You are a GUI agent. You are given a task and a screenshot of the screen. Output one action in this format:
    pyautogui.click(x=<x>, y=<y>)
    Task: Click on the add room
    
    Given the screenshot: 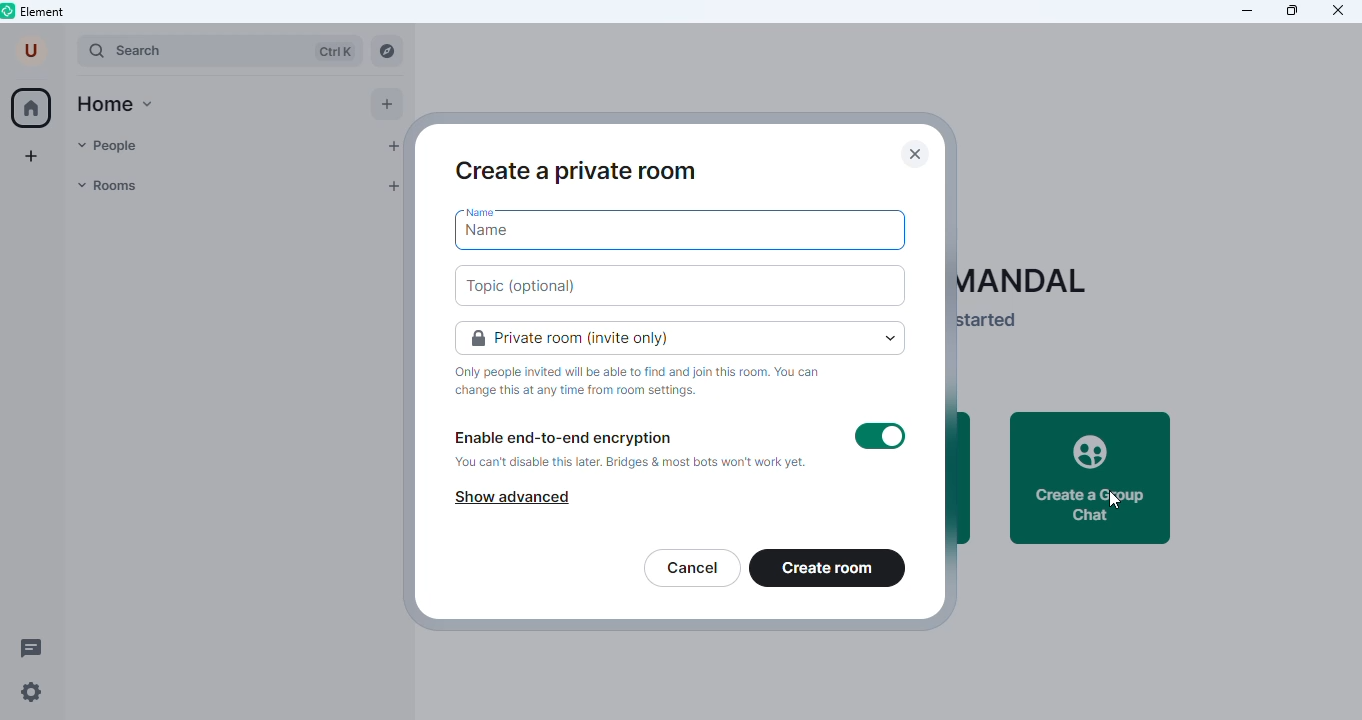 What is the action you would take?
    pyautogui.click(x=392, y=185)
    